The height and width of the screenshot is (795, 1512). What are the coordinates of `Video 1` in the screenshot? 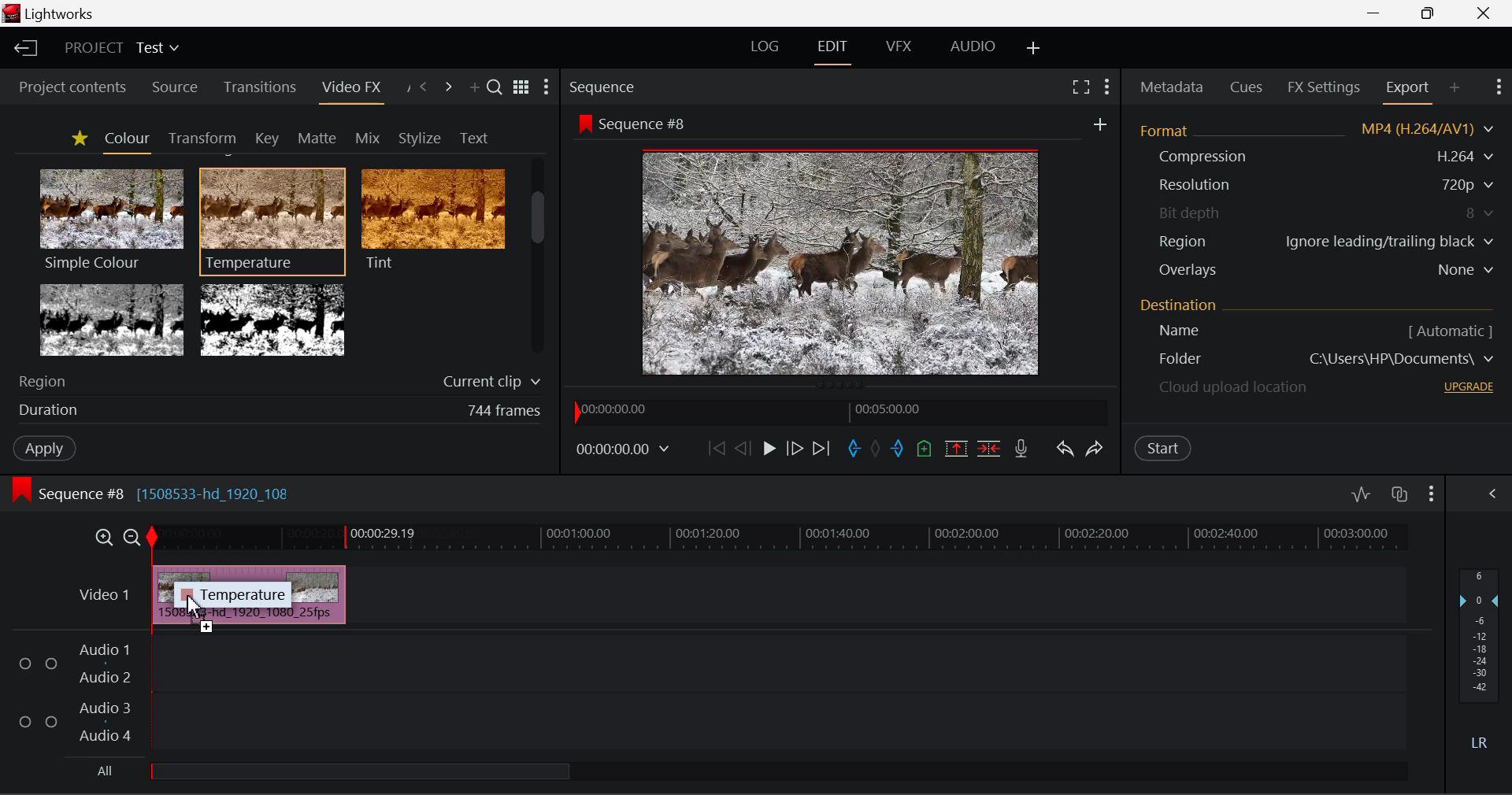 It's located at (103, 595).